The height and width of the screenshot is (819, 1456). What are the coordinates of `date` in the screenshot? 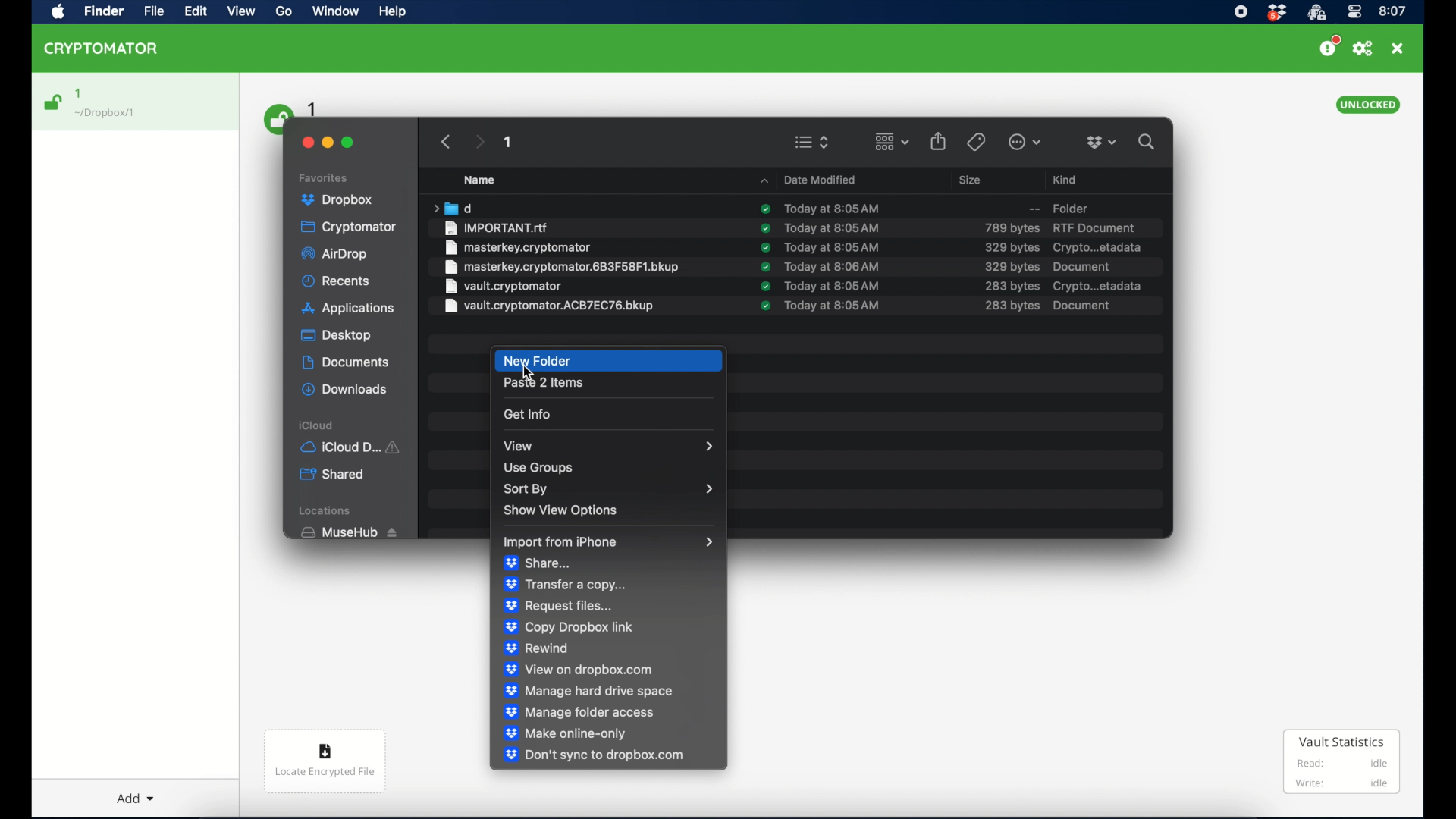 It's located at (835, 286).